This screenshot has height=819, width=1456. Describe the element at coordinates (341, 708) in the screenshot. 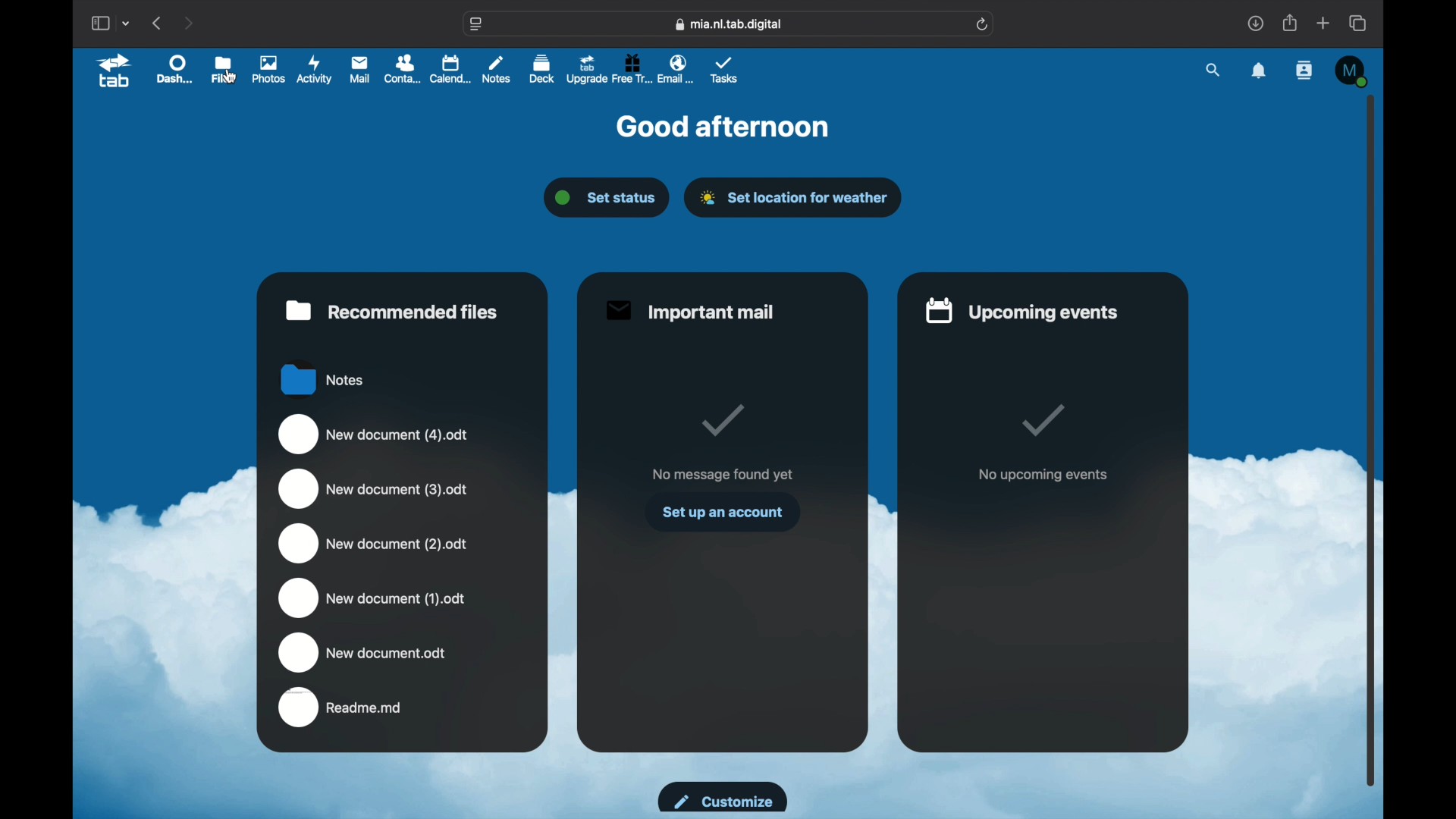

I see `readme.md` at that location.